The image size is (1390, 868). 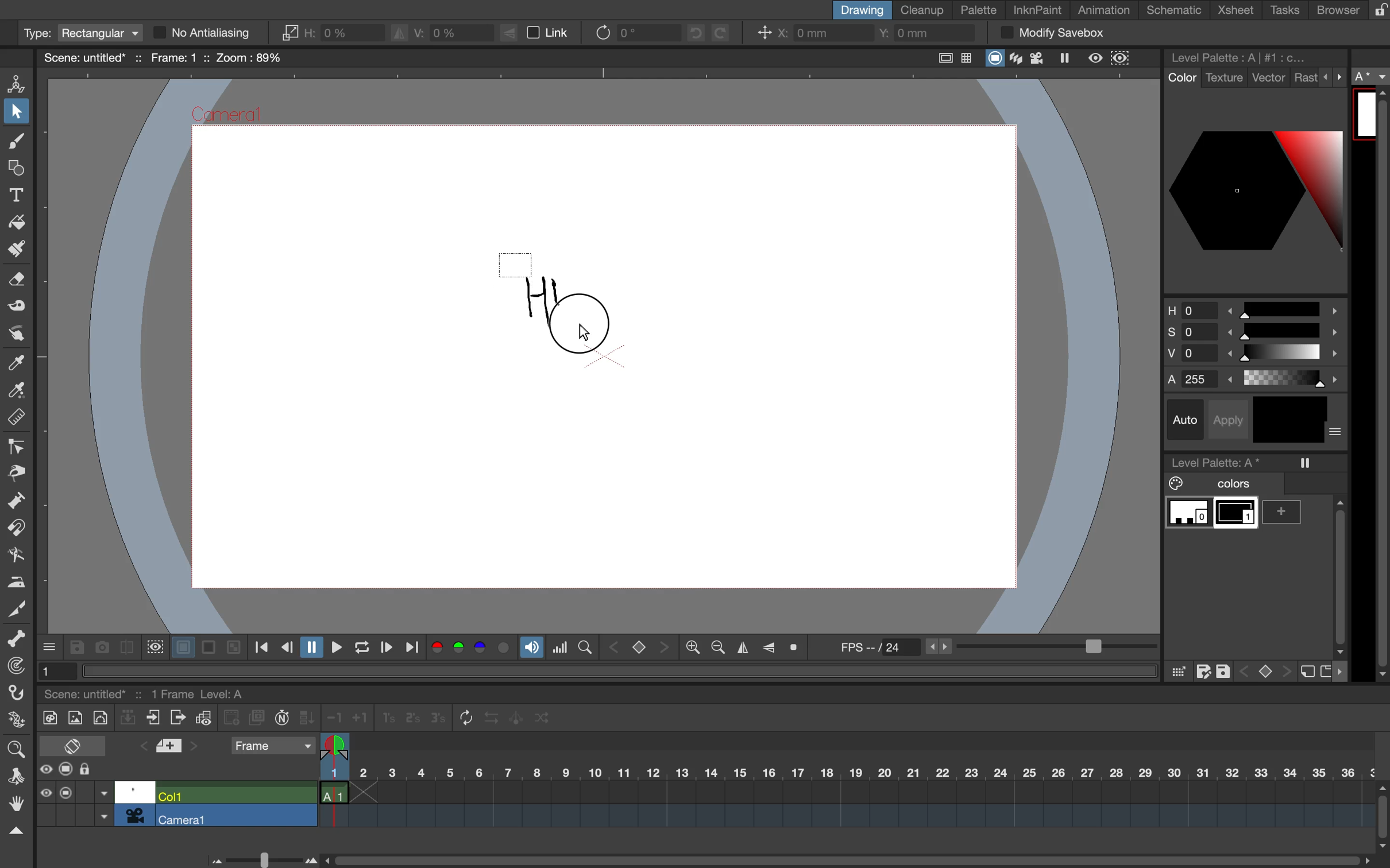 I want to click on horizontal scroll bar, so click(x=842, y=855).